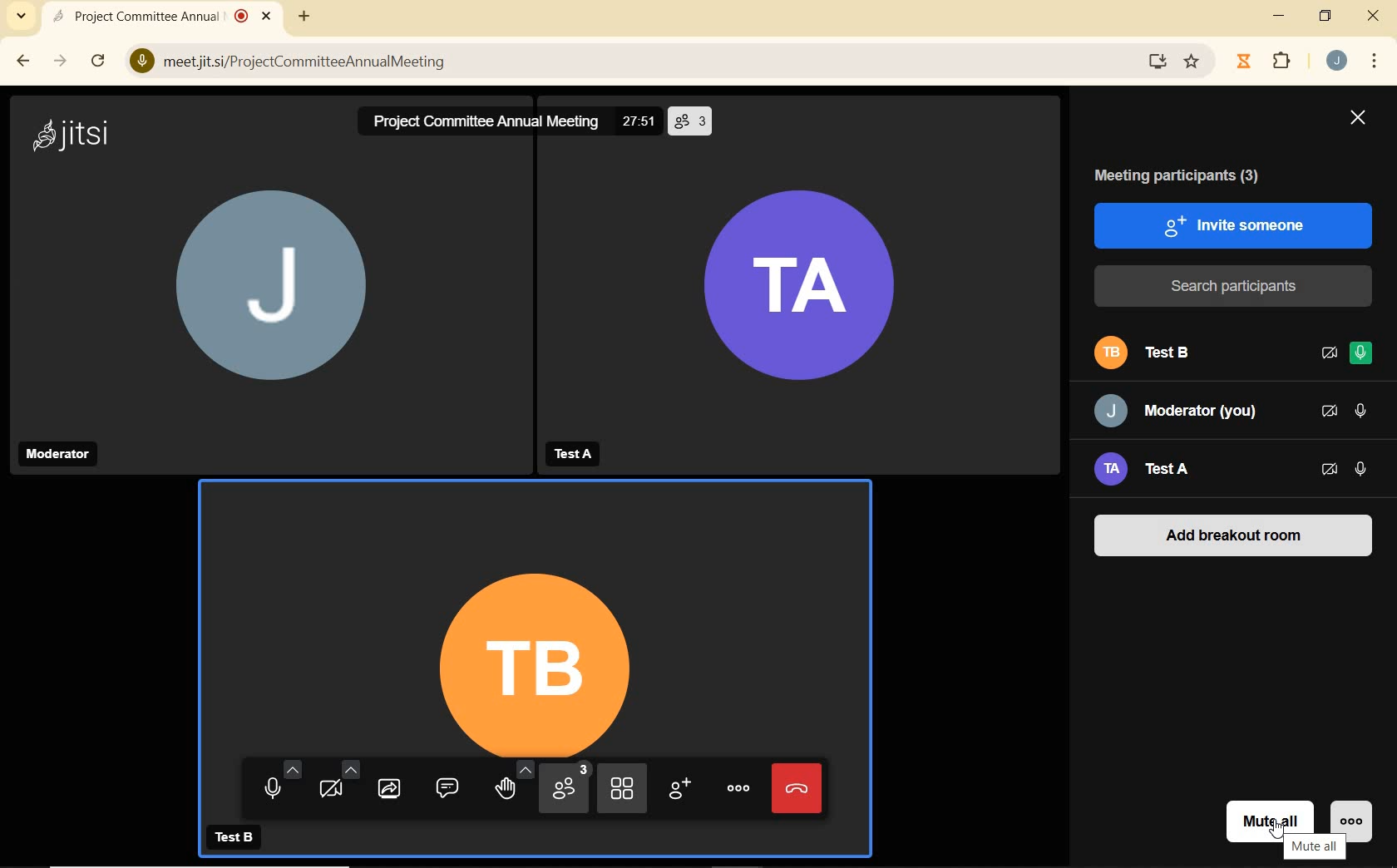 This screenshot has width=1397, height=868. What do you see at coordinates (802, 291) in the screenshot?
I see `TA` at bounding box center [802, 291].